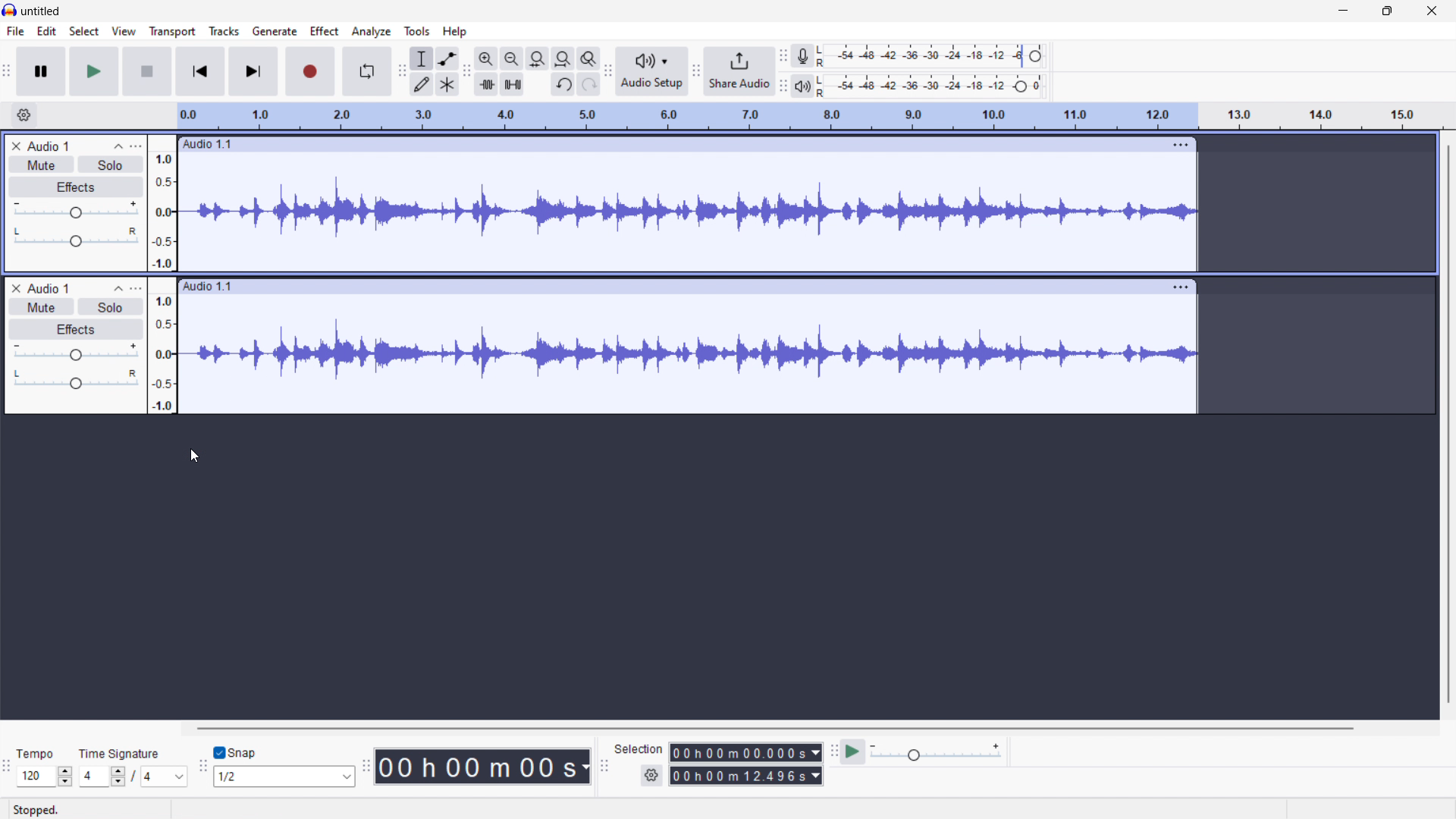 Image resolution: width=1456 pixels, height=819 pixels. What do you see at coordinates (783, 55) in the screenshot?
I see `recording meter toolbar` at bounding box center [783, 55].